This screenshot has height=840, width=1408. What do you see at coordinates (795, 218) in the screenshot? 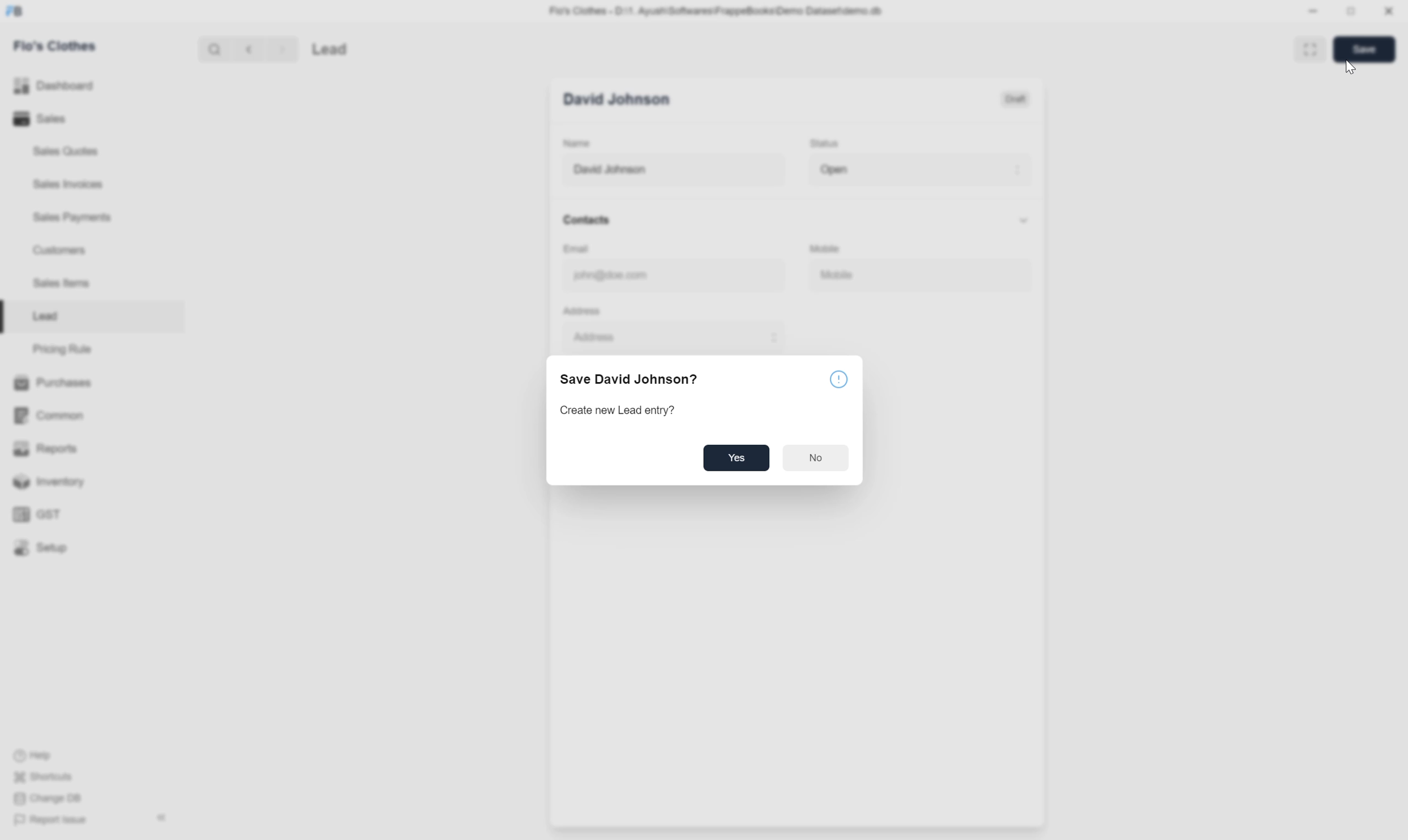
I see `Contacts` at bounding box center [795, 218].